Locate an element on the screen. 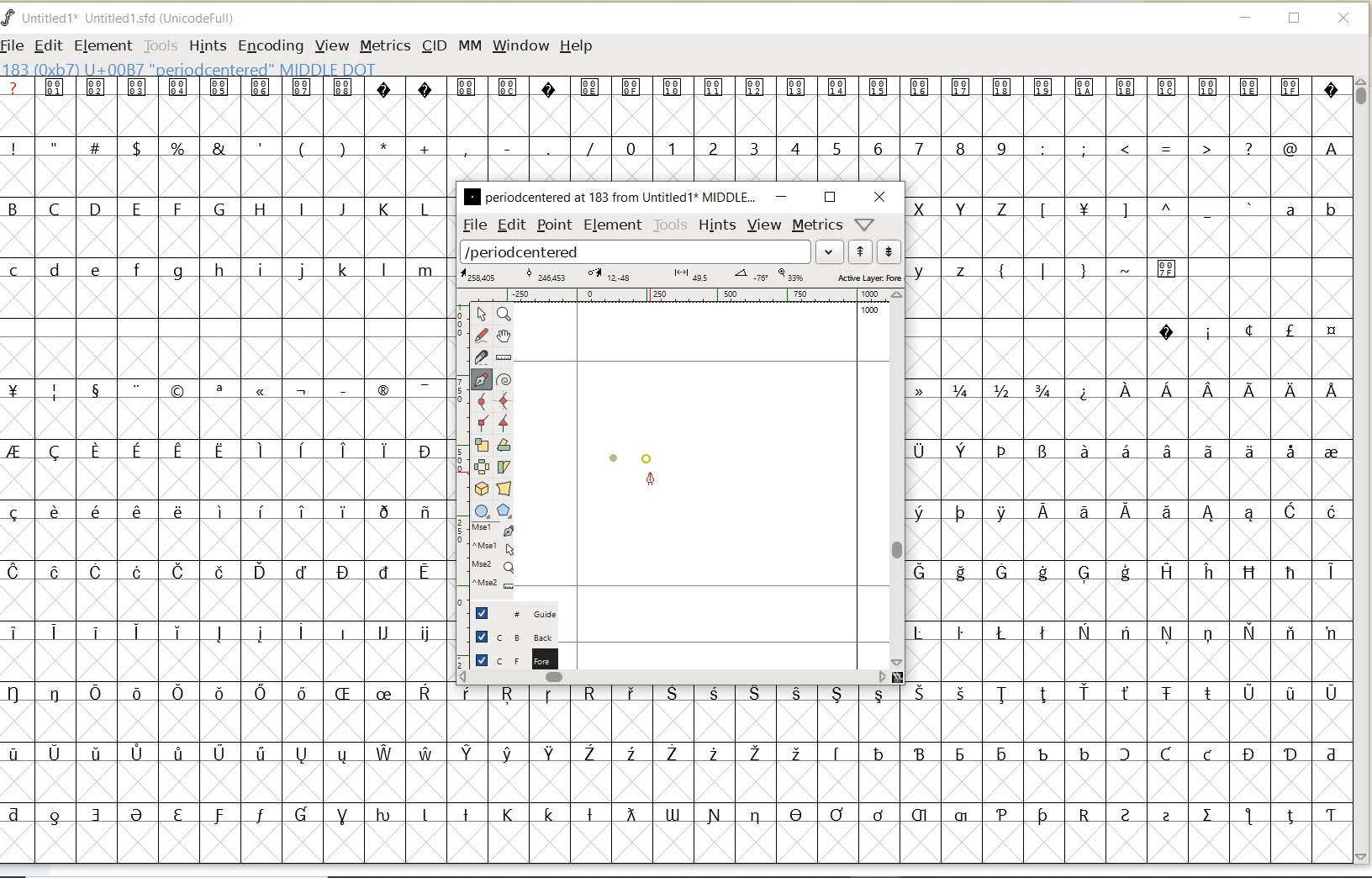 The width and height of the screenshot is (1372, 878). rectangle or ellipse is located at coordinates (482, 510).